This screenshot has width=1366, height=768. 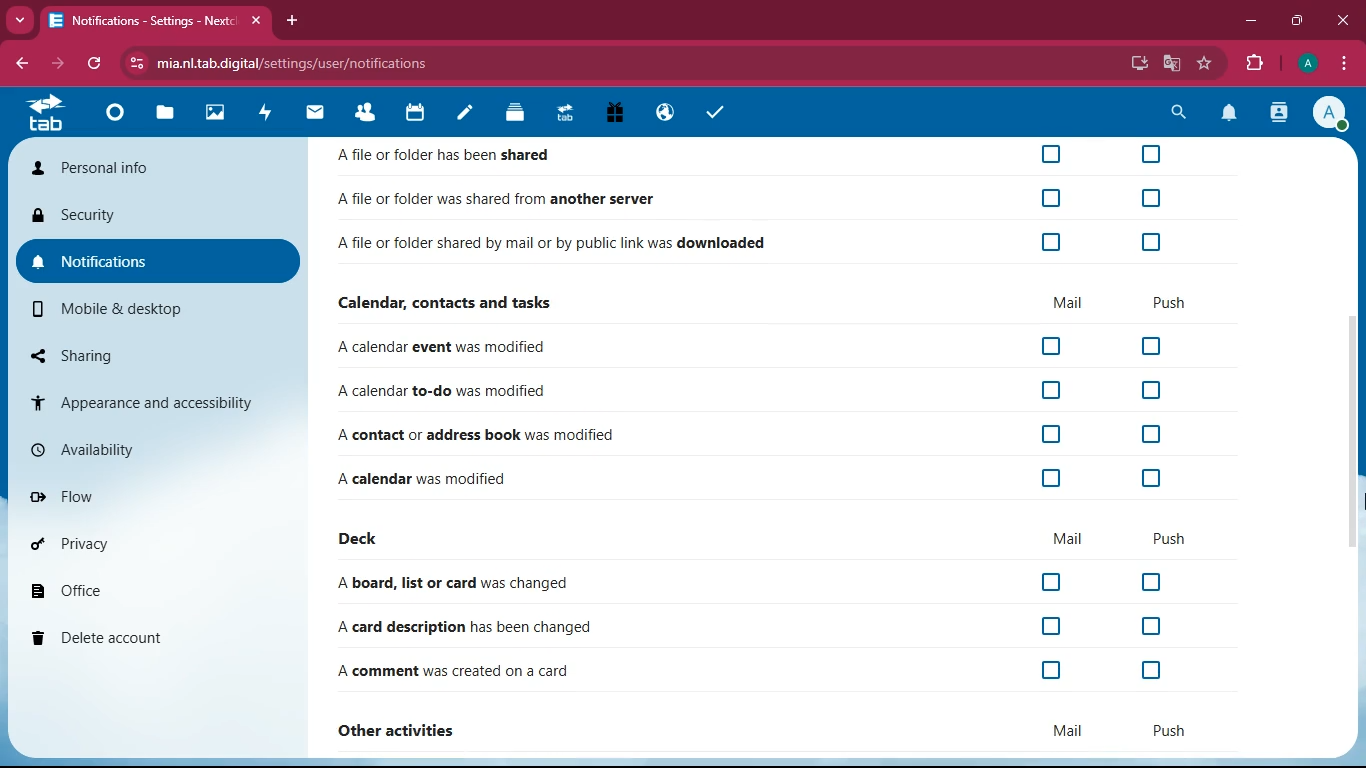 What do you see at coordinates (460, 349) in the screenshot?
I see `A calendar event was modified` at bounding box center [460, 349].